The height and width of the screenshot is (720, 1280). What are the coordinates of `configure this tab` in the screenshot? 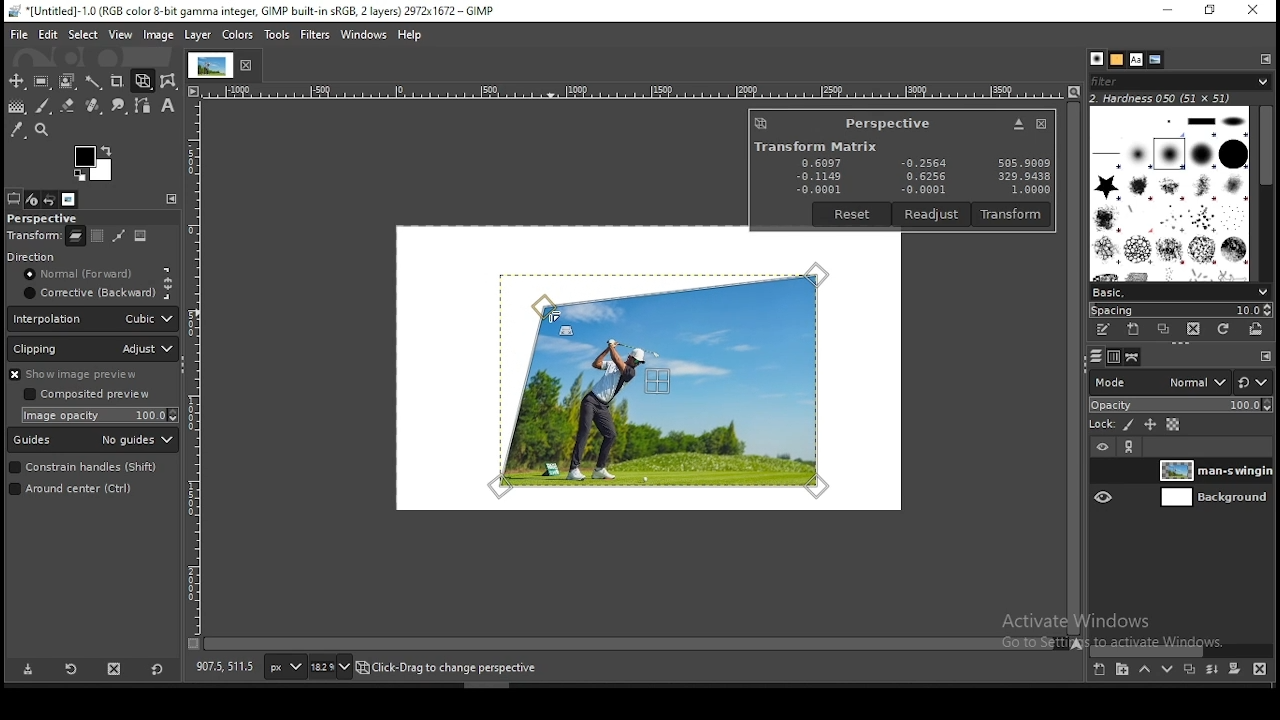 It's located at (172, 199).